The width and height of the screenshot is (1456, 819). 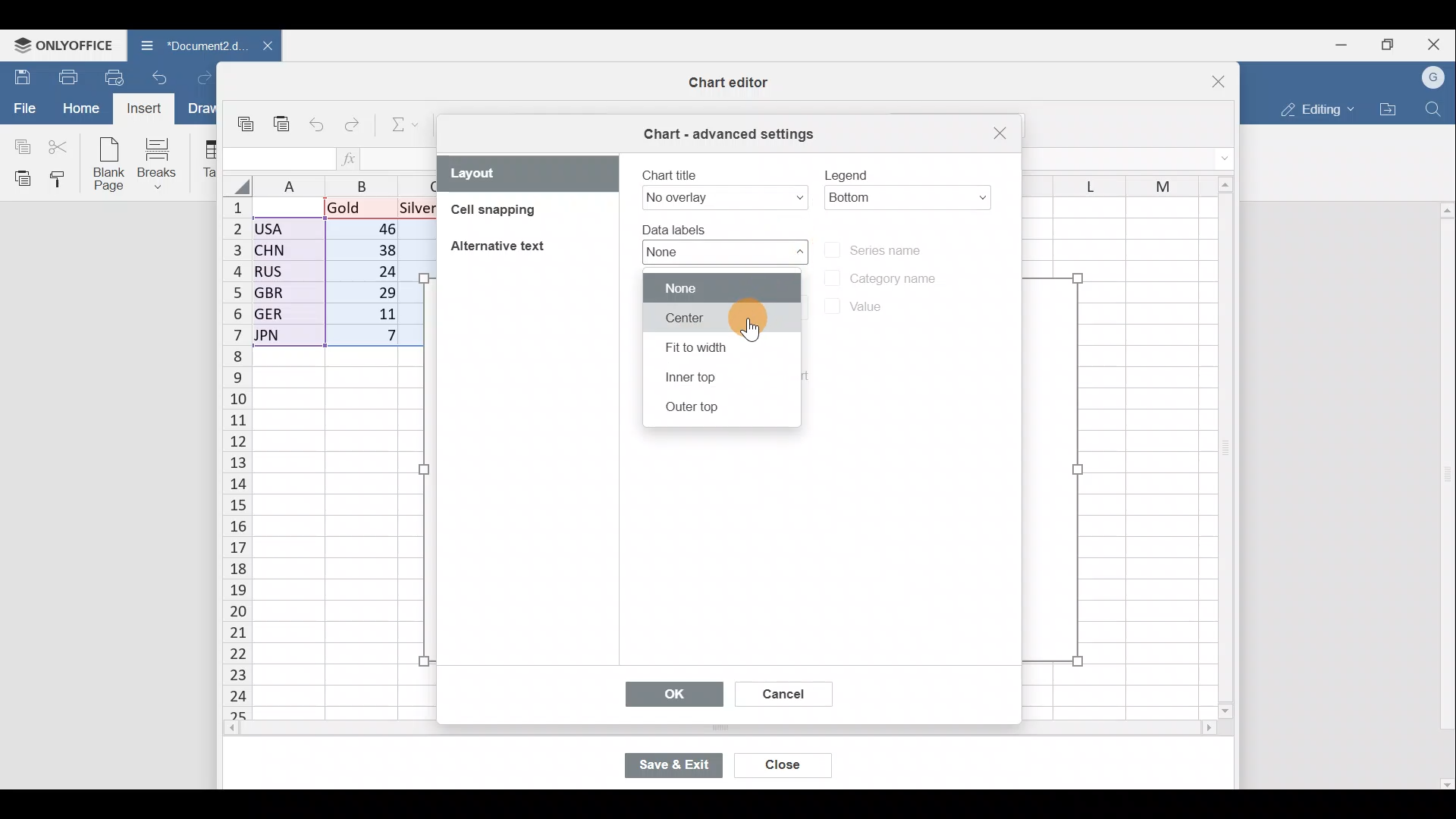 What do you see at coordinates (119, 74) in the screenshot?
I see `Quick print` at bounding box center [119, 74].